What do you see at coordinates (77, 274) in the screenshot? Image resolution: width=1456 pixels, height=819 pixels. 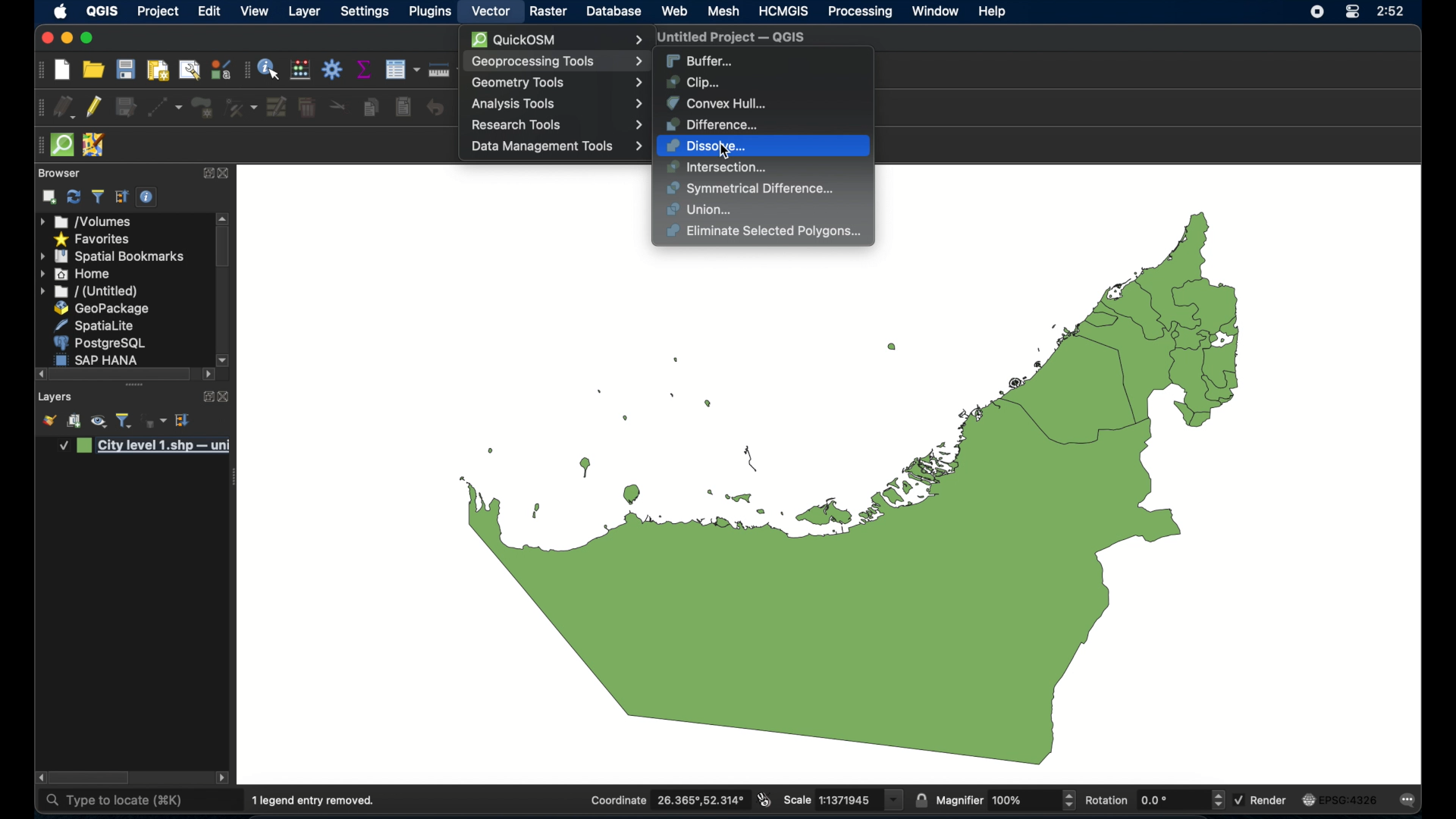 I see `home` at bounding box center [77, 274].